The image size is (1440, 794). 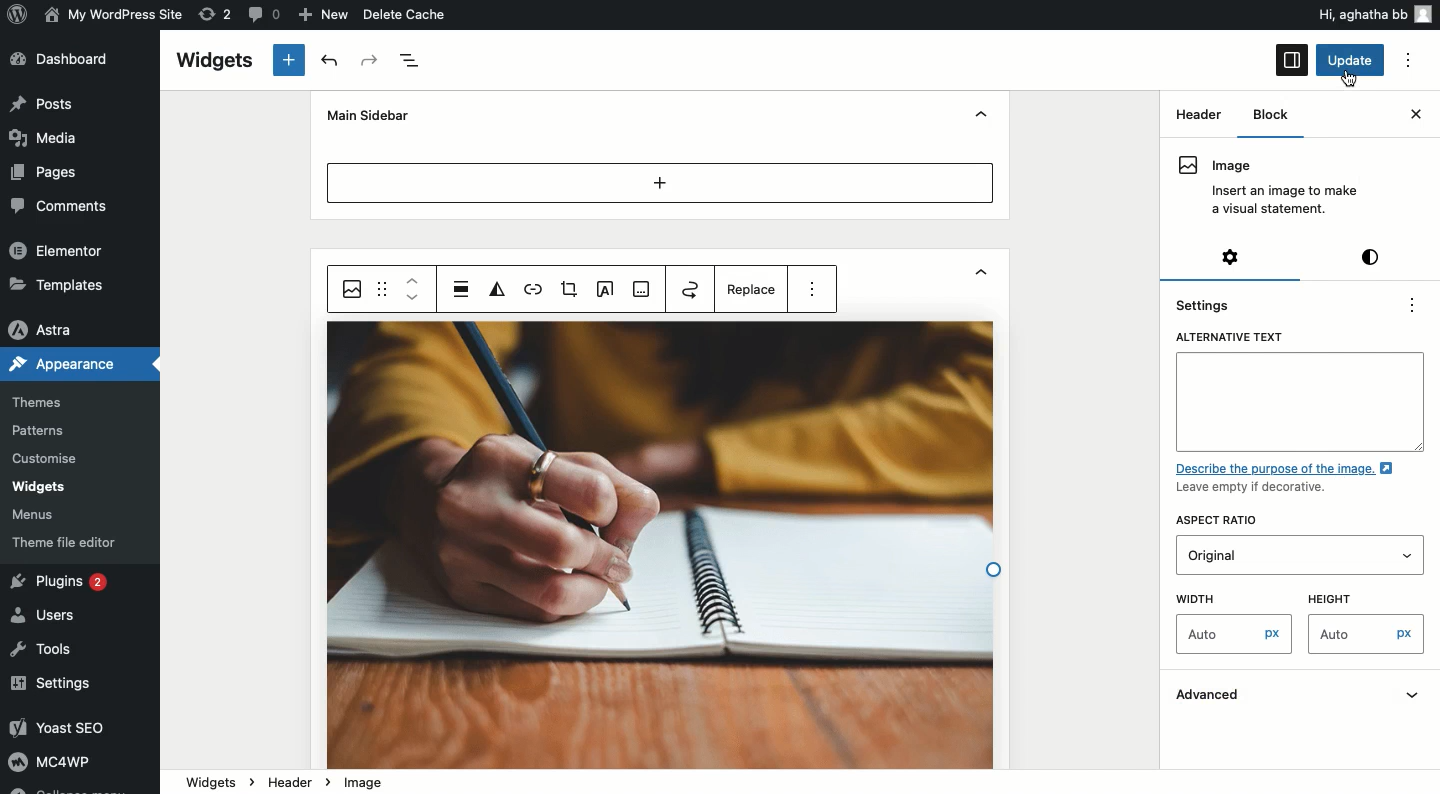 I want to click on Header image added, so click(x=661, y=546).